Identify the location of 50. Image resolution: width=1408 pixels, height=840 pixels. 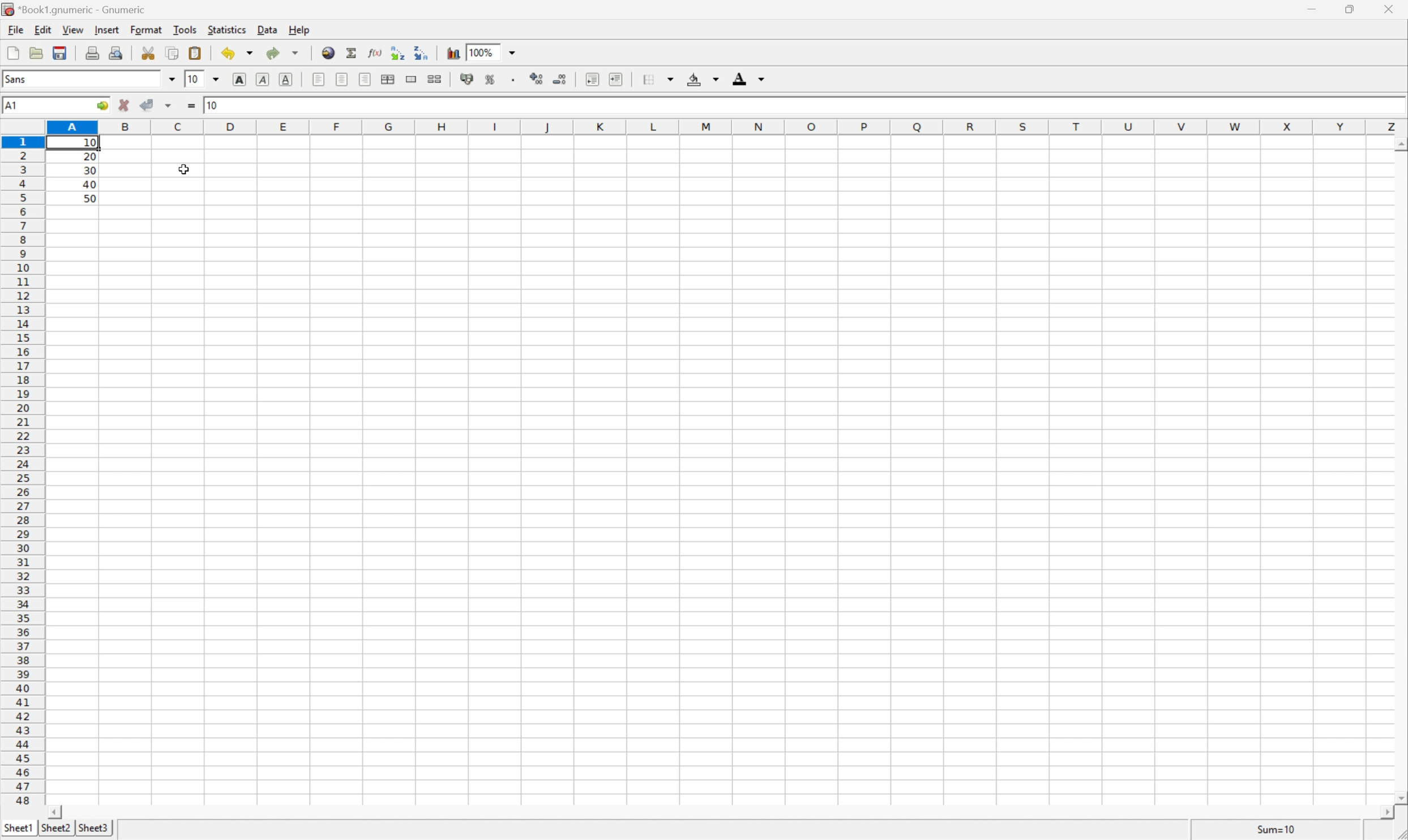
(89, 198).